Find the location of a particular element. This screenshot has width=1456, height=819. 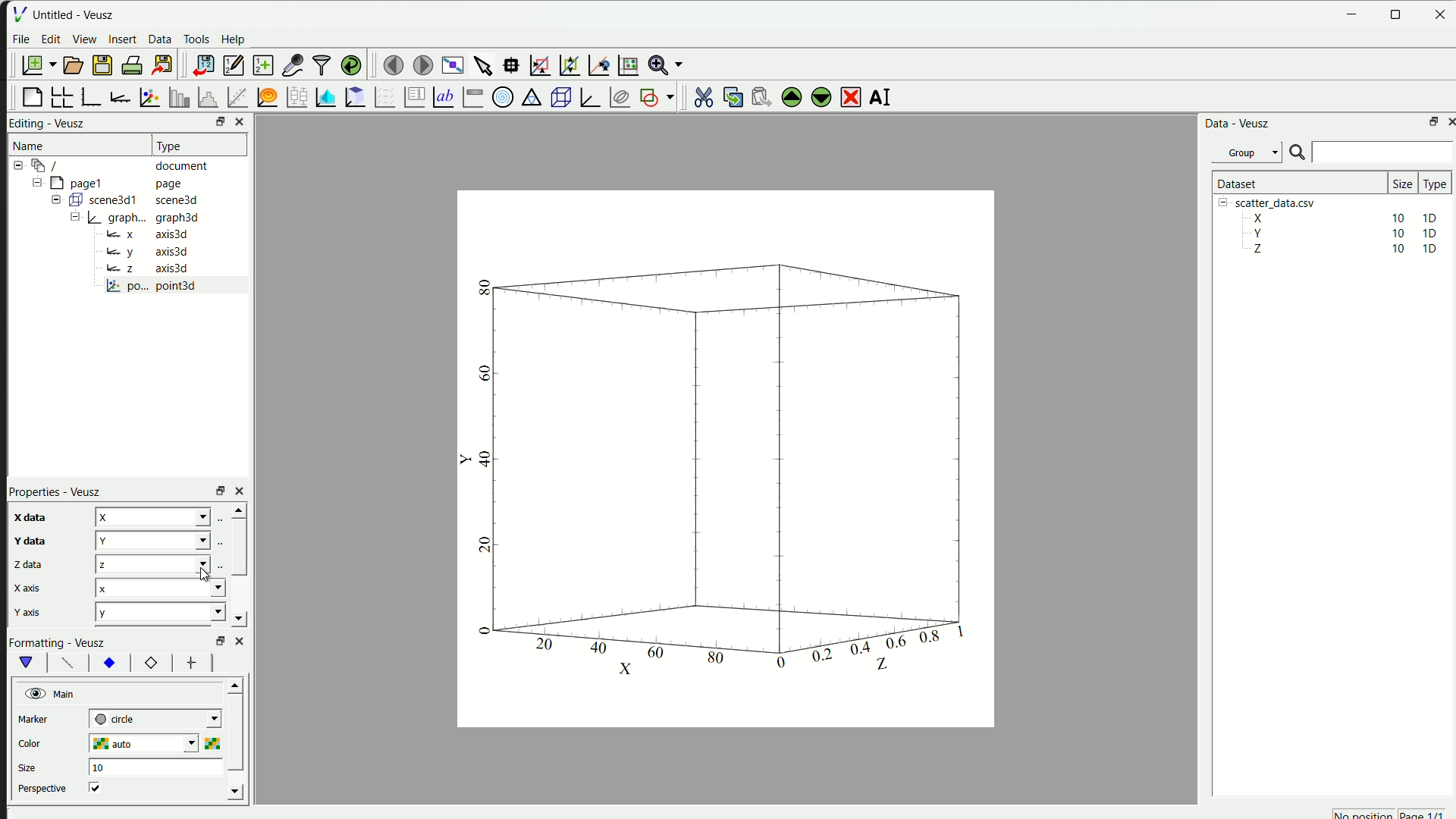

close is located at coordinates (1437, 14).